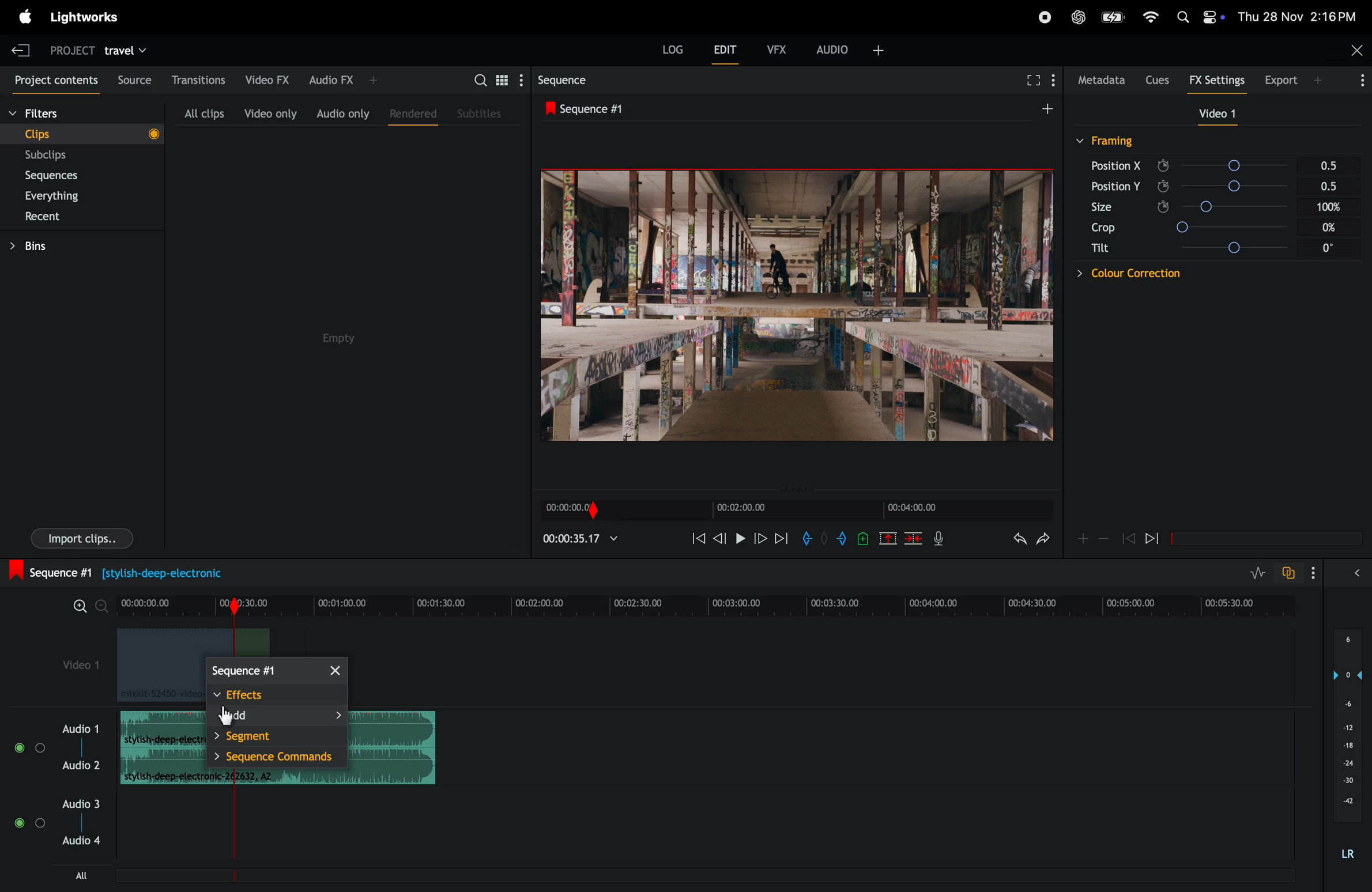  What do you see at coordinates (84, 875) in the screenshot?
I see `all` at bounding box center [84, 875].